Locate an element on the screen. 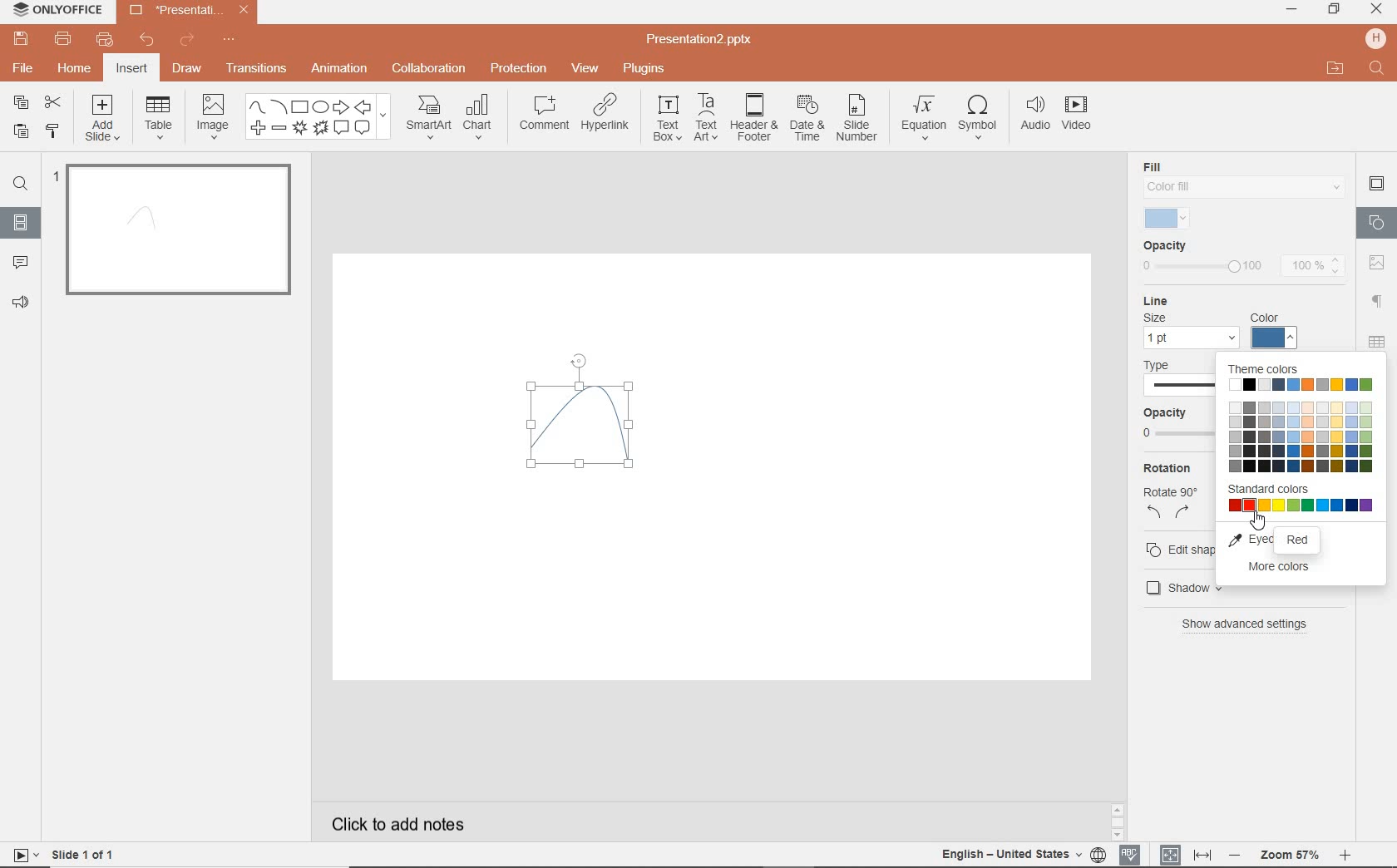 The height and width of the screenshot is (868, 1397). show advanced settings is located at coordinates (1249, 626).